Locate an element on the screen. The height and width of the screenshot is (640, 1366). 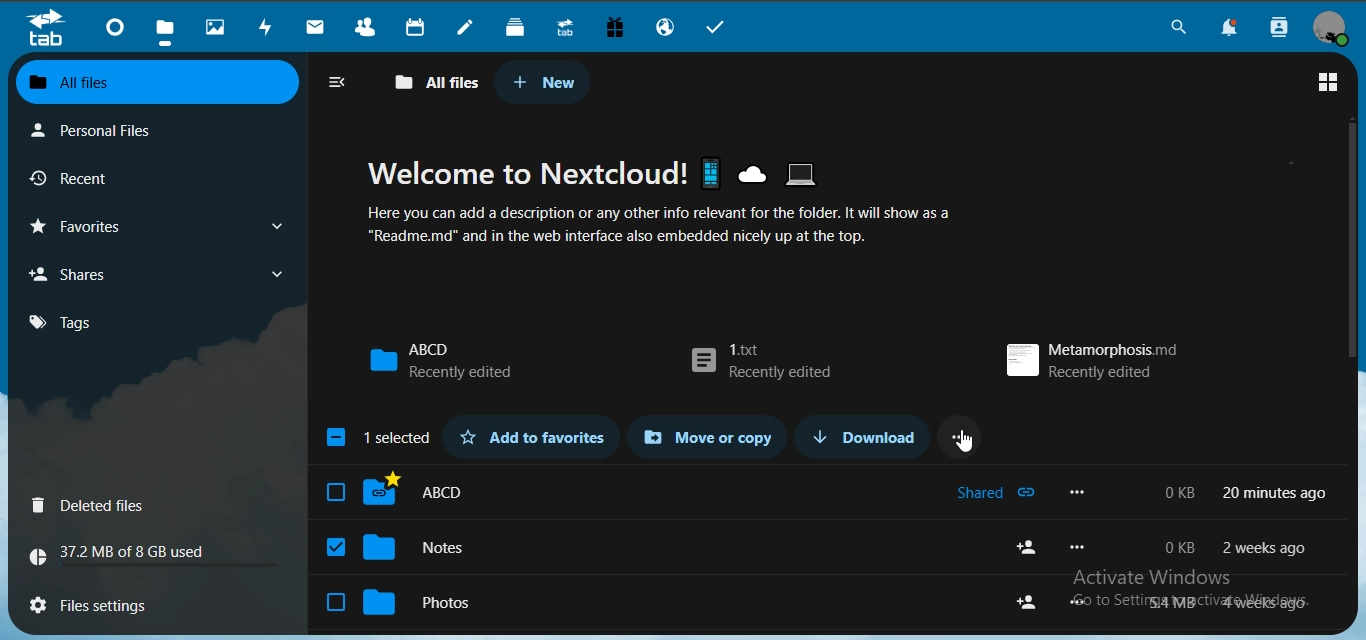
calendar is located at coordinates (417, 26).